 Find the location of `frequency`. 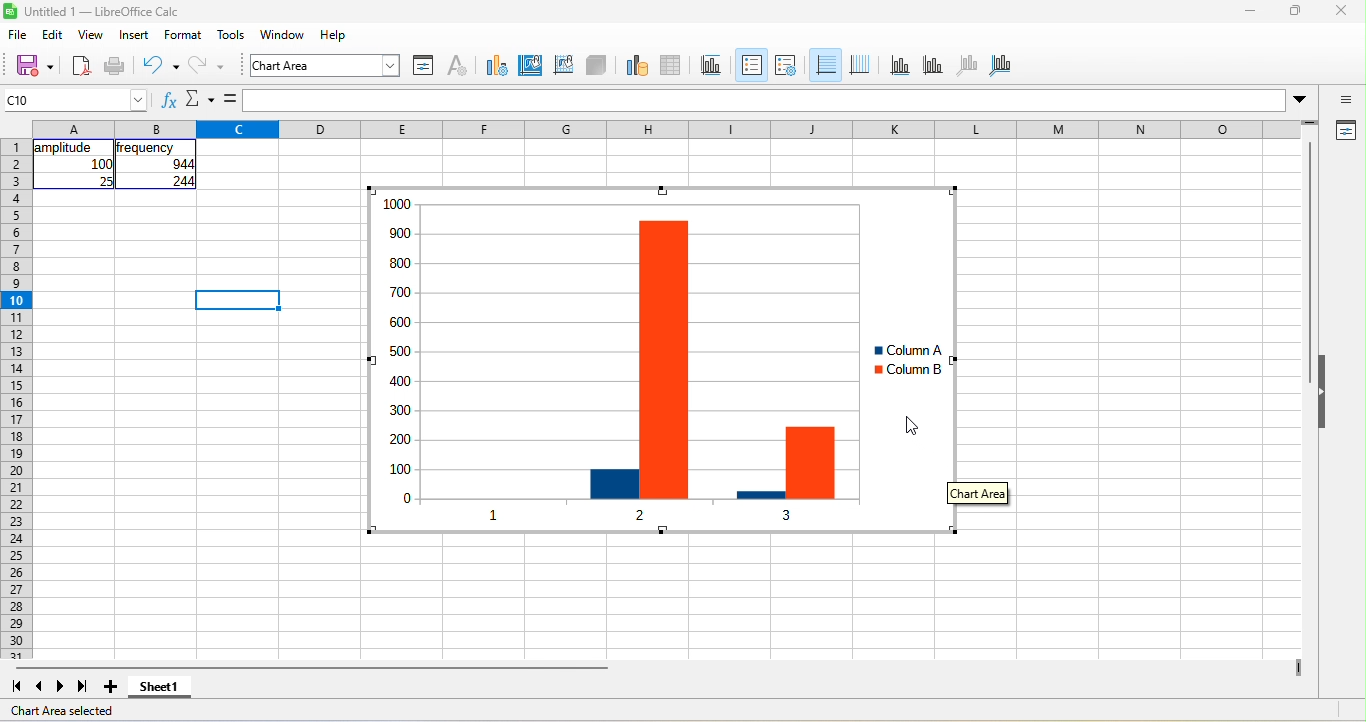

frequency is located at coordinates (145, 148).